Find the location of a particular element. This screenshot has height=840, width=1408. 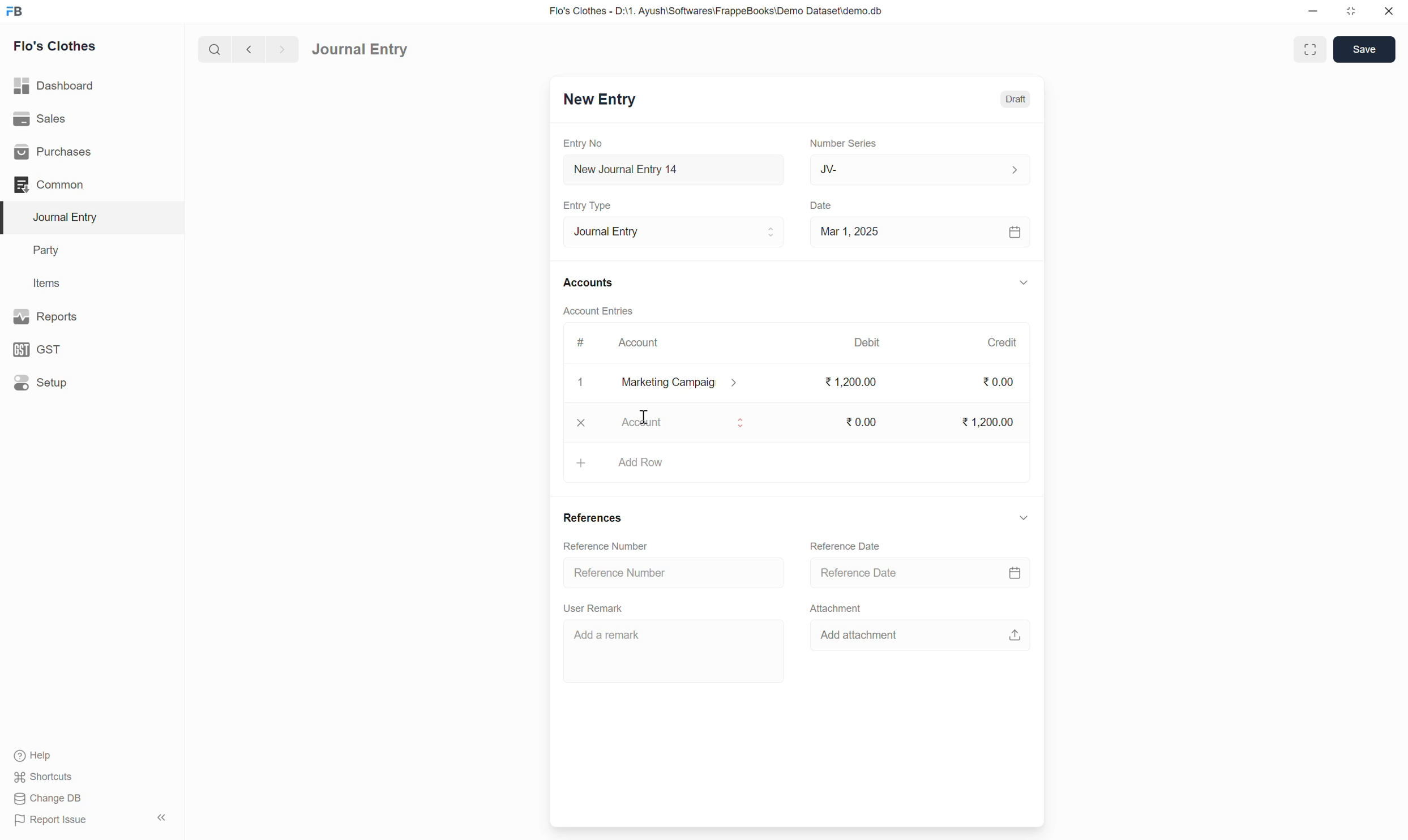

# is located at coordinates (581, 342).